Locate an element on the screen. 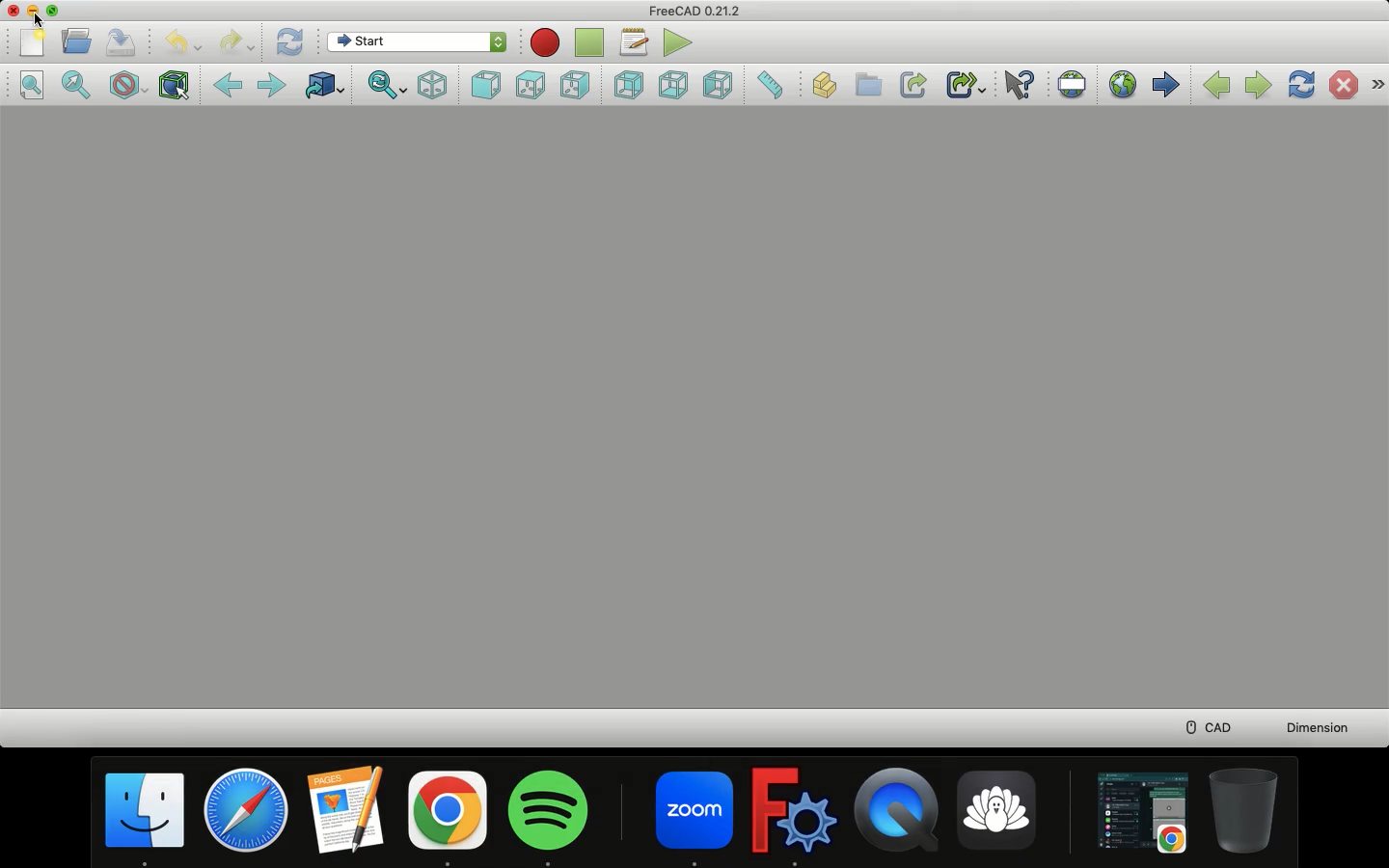 The width and height of the screenshot is (1389, 868). Measure distance is located at coordinates (773, 84).